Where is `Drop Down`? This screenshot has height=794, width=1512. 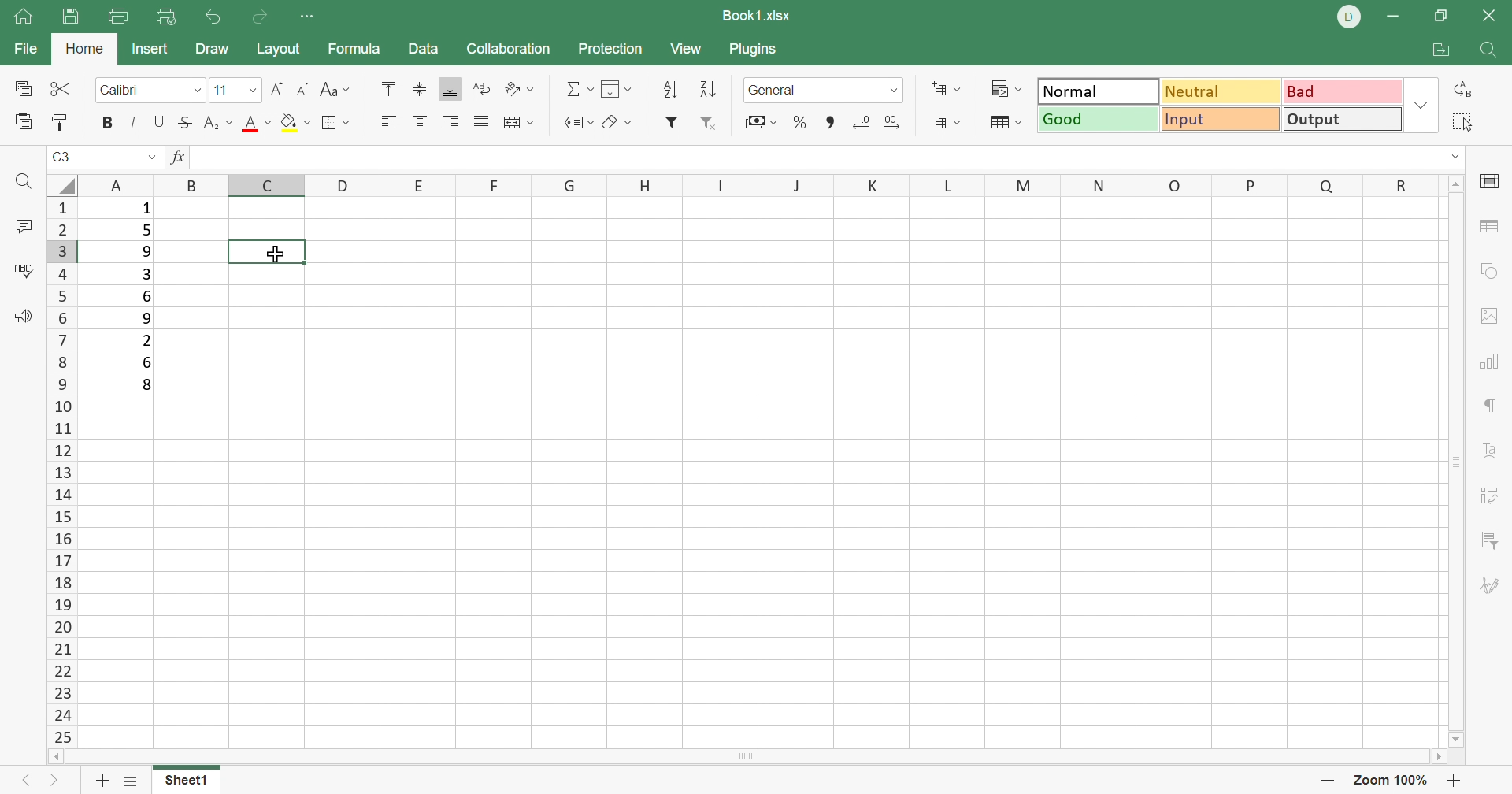 Drop Down is located at coordinates (1423, 104).